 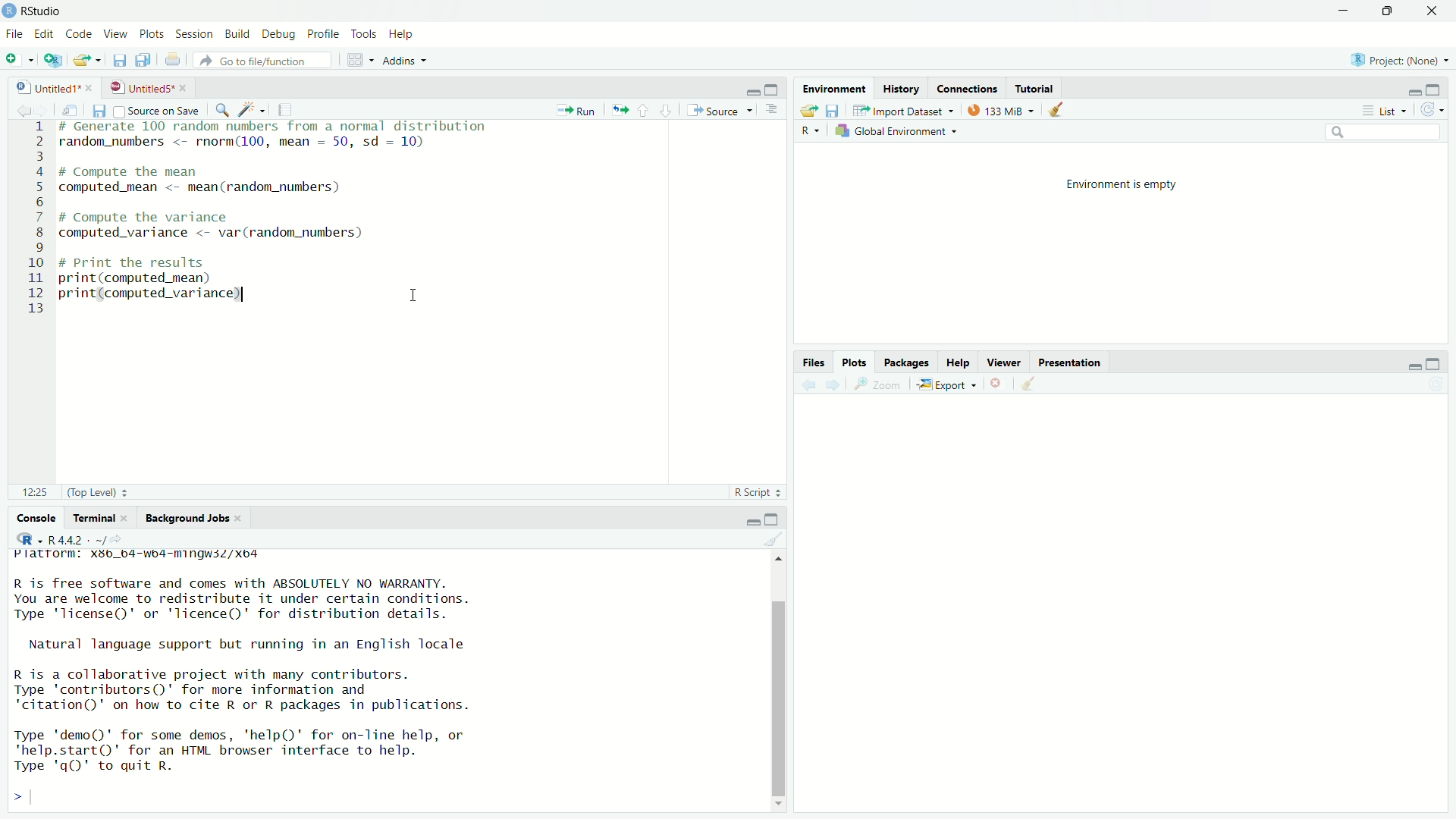 What do you see at coordinates (750, 518) in the screenshot?
I see `minimize` at bounding box center [750, 518].